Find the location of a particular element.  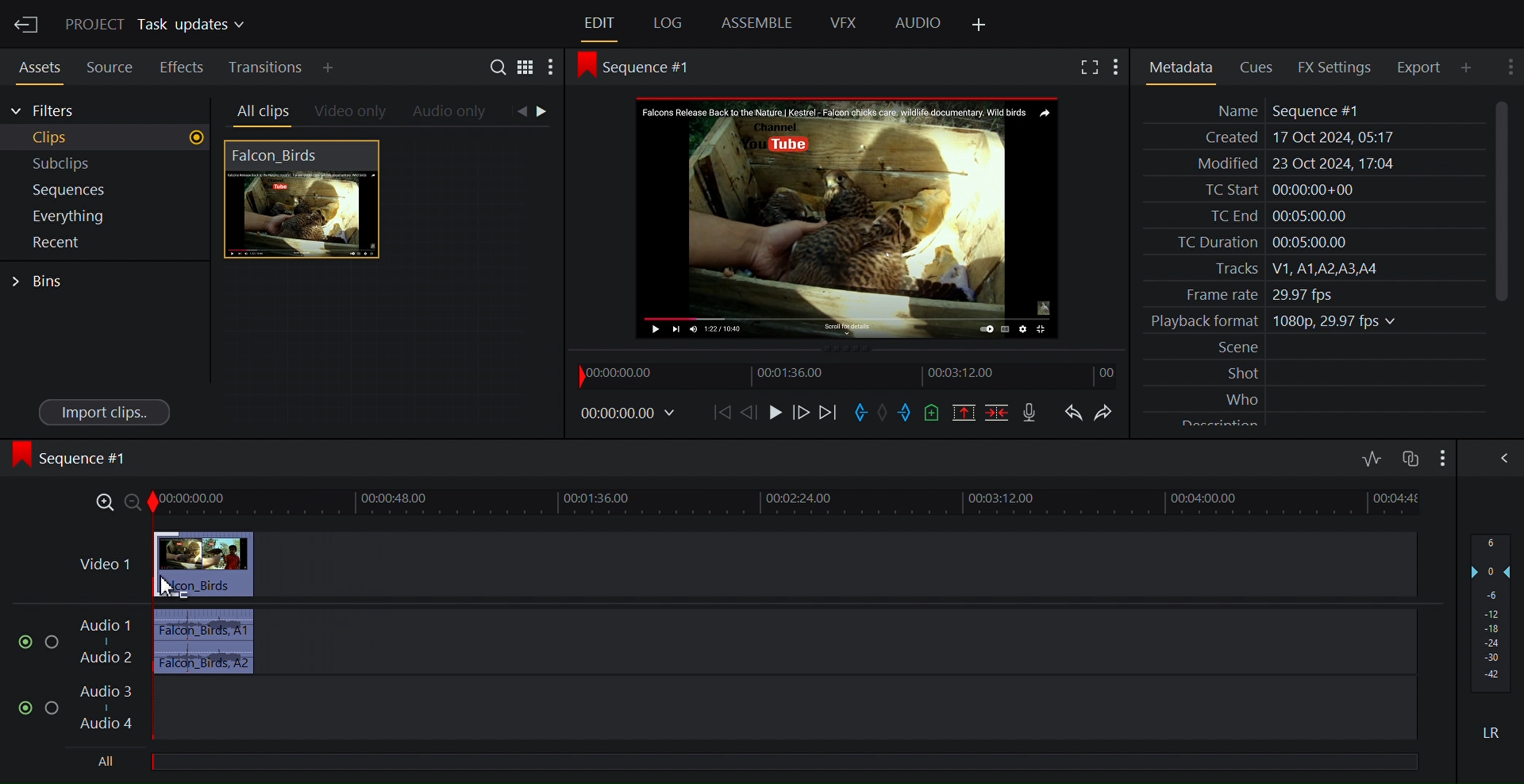

Transitition is located at coordinates (267, 67).